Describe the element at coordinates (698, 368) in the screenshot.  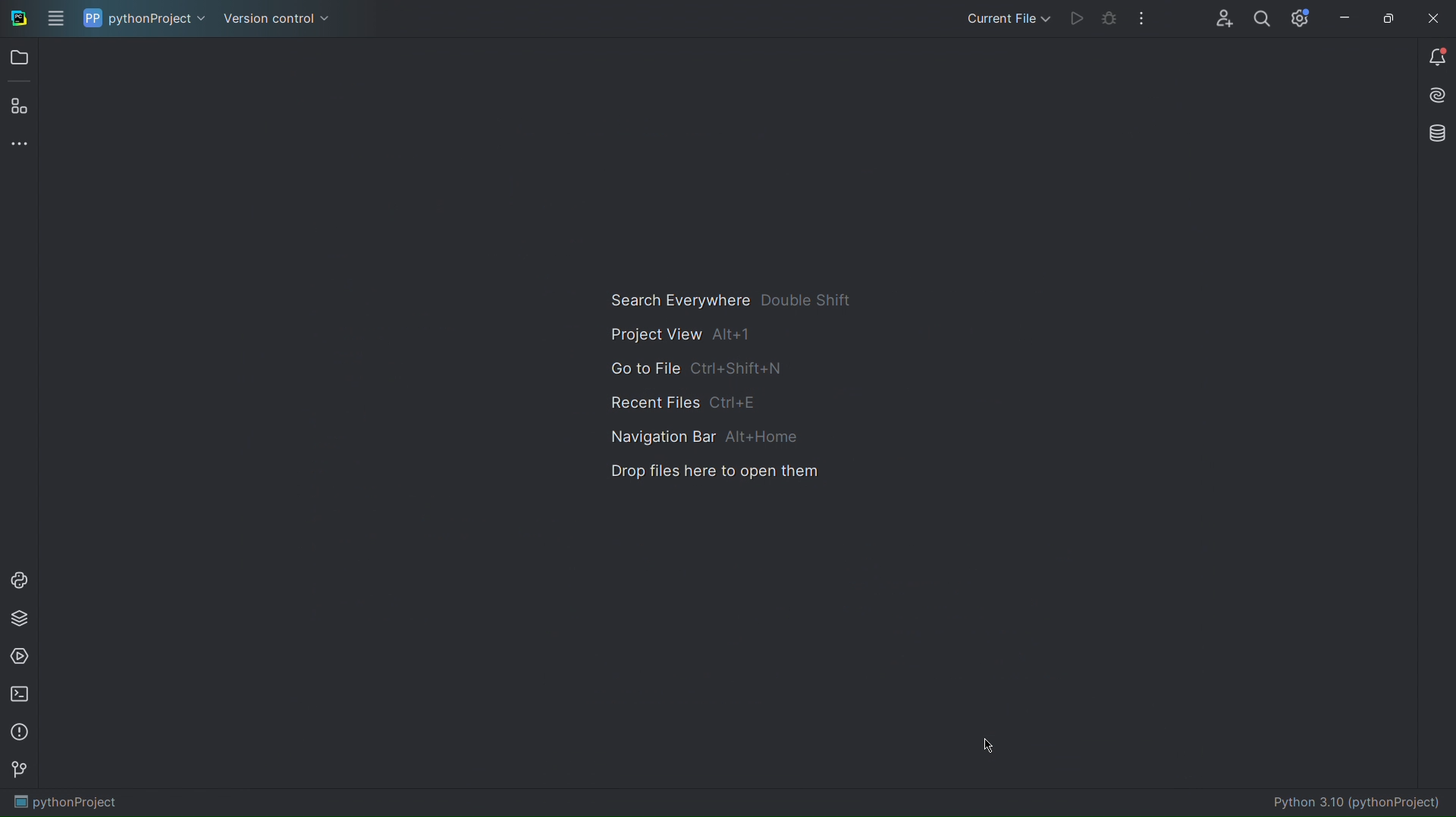
I see `Go to File` at that location.